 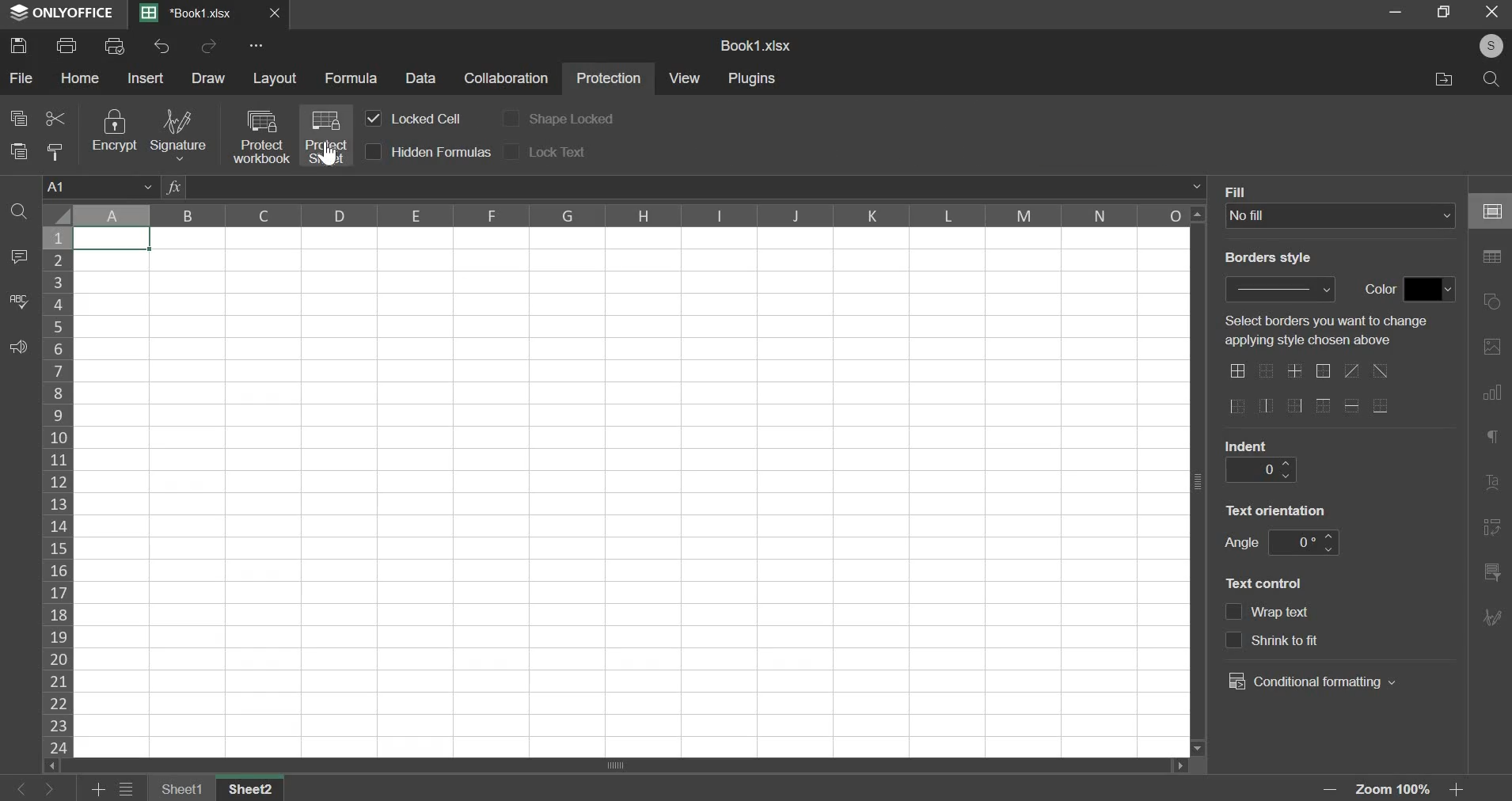 What do you see at coordinates (1440, 79) in the screenshot?
I see `File` at bounding box center [1440, 79].